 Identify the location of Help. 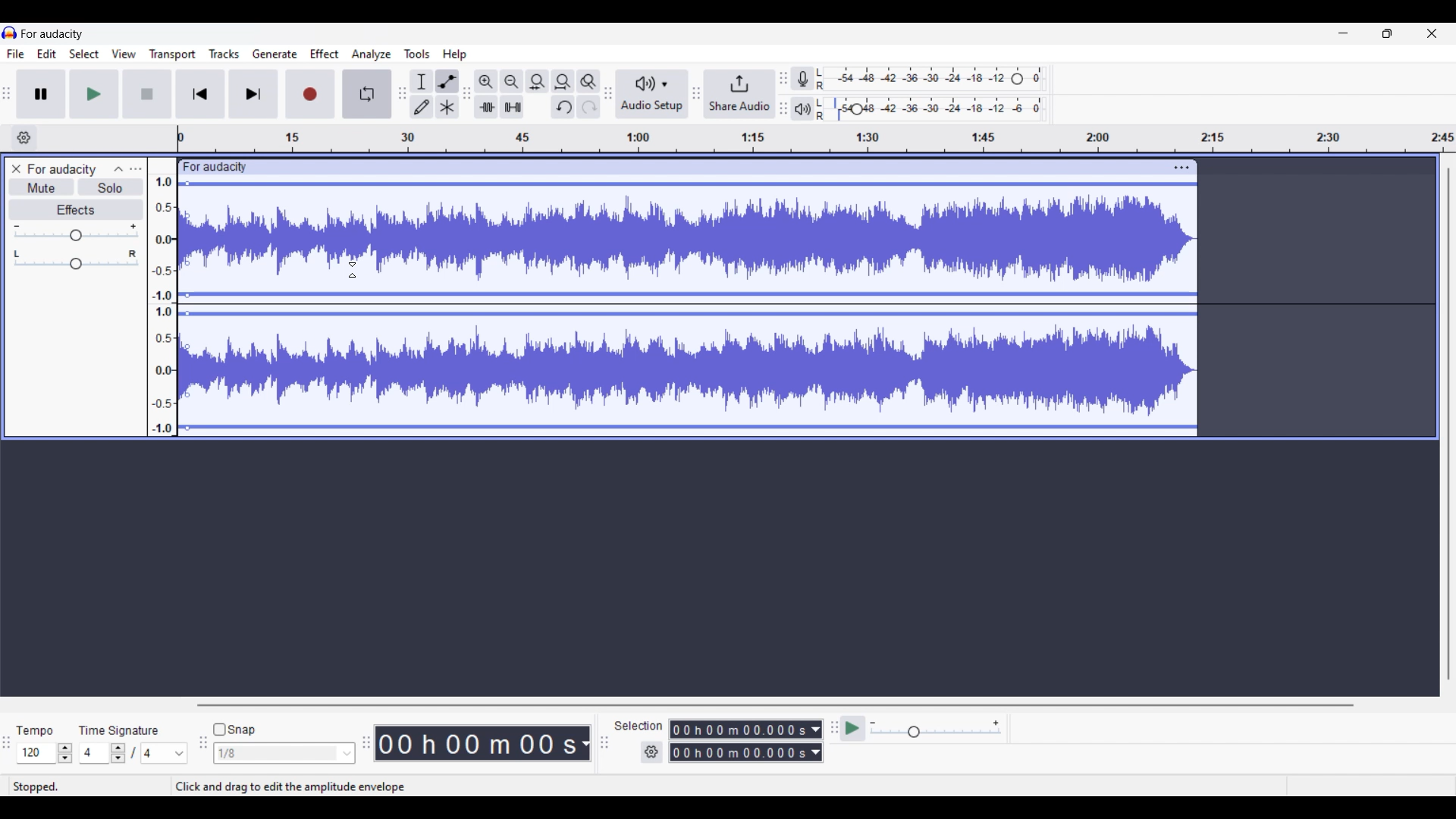
(454, 55).